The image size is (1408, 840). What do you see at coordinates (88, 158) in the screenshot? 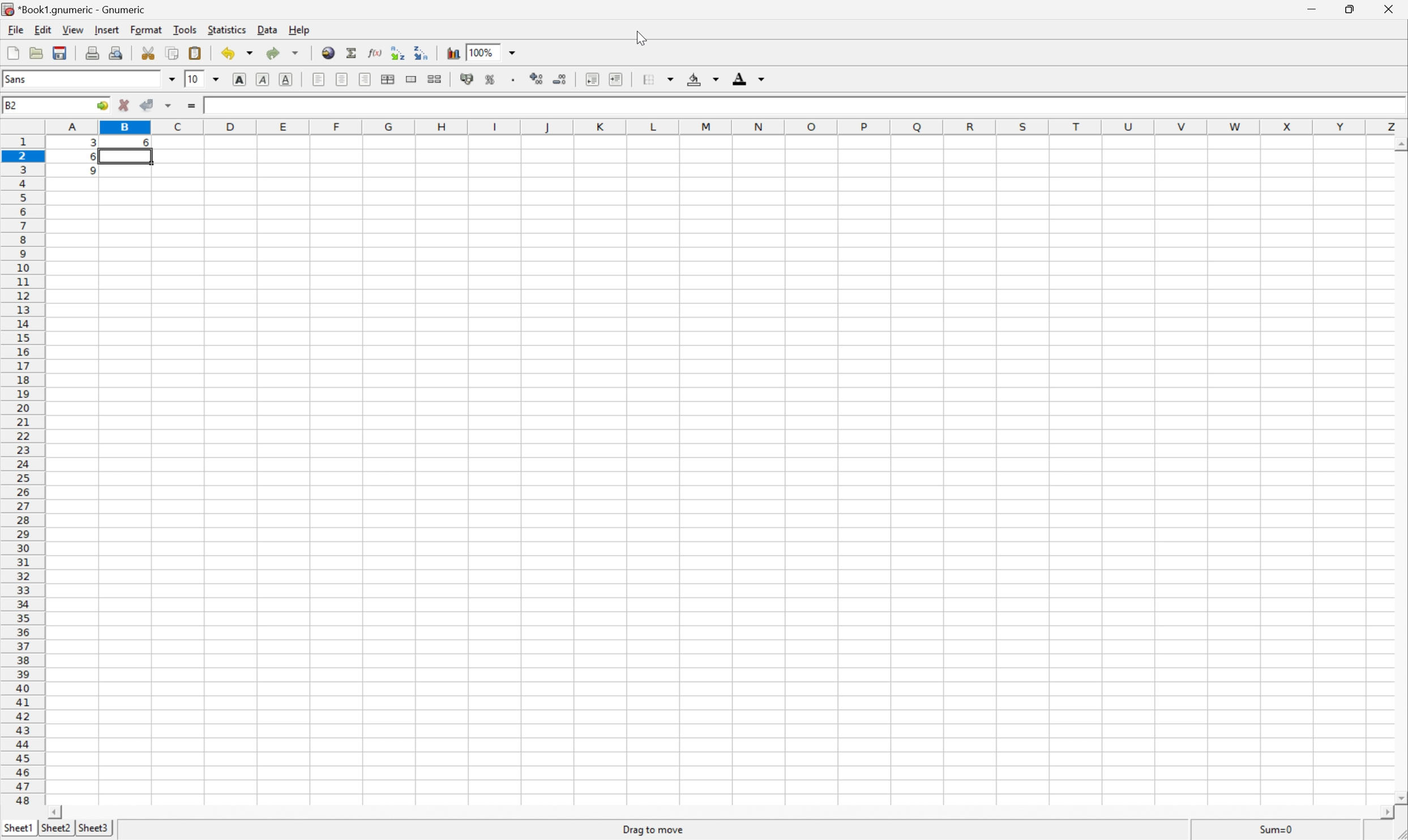
I see `6` at bounding box center [88, 158].